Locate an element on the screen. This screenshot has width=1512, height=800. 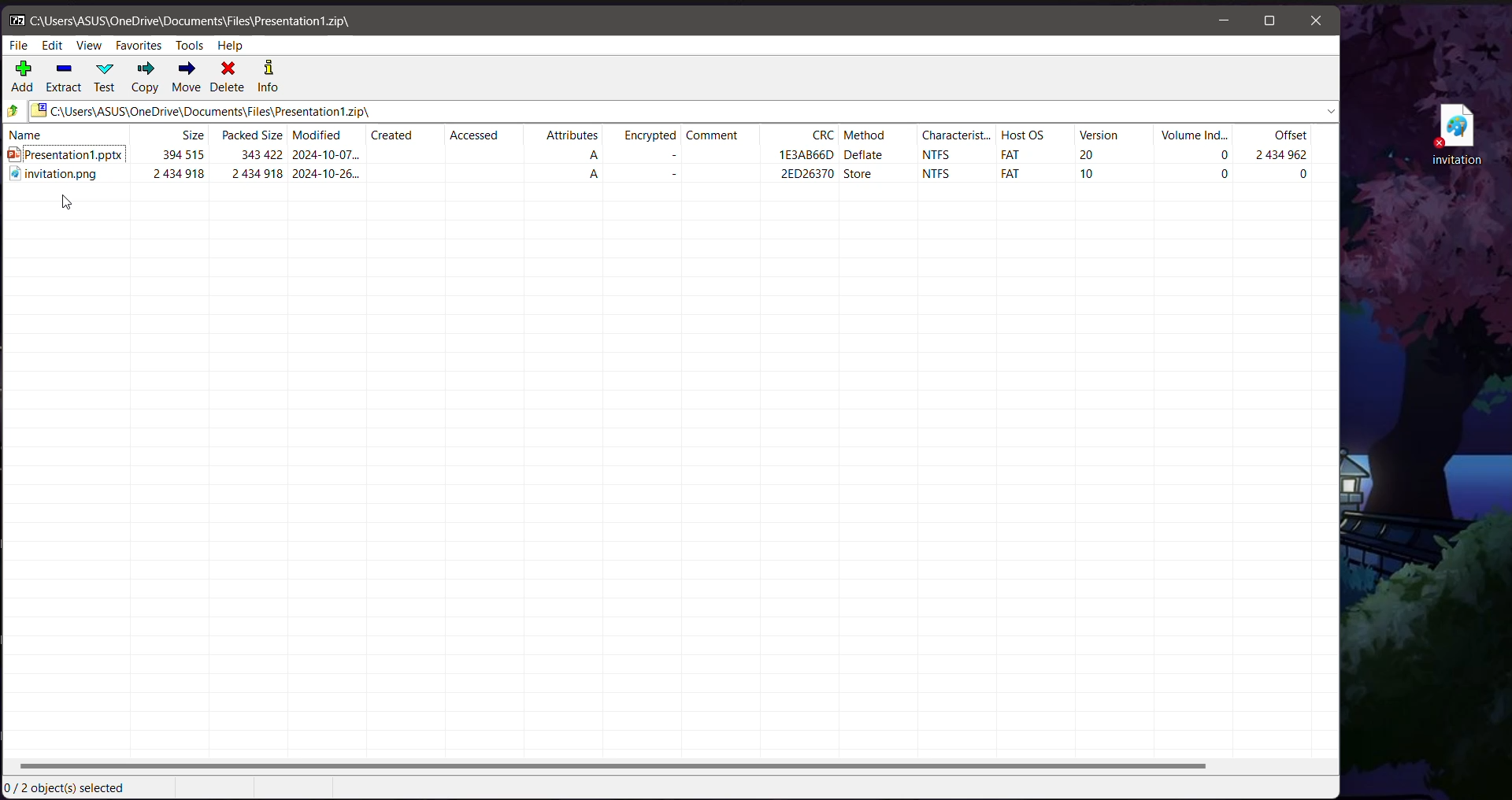
Characteristics is located at coordinates (957, 134).